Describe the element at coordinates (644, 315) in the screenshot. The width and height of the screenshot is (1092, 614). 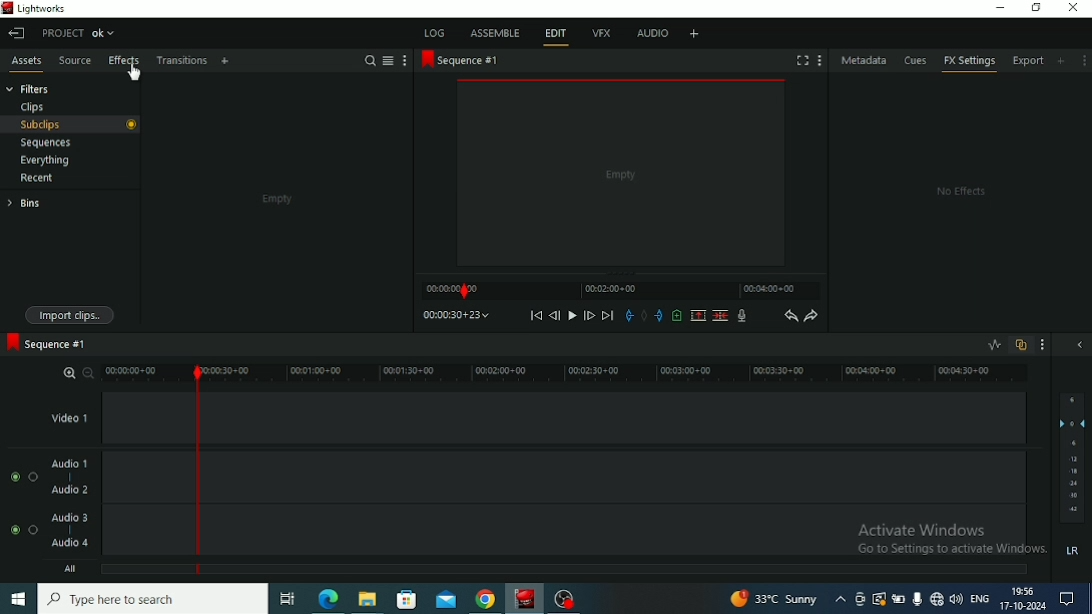
I see `Clear all Marks` at that location.